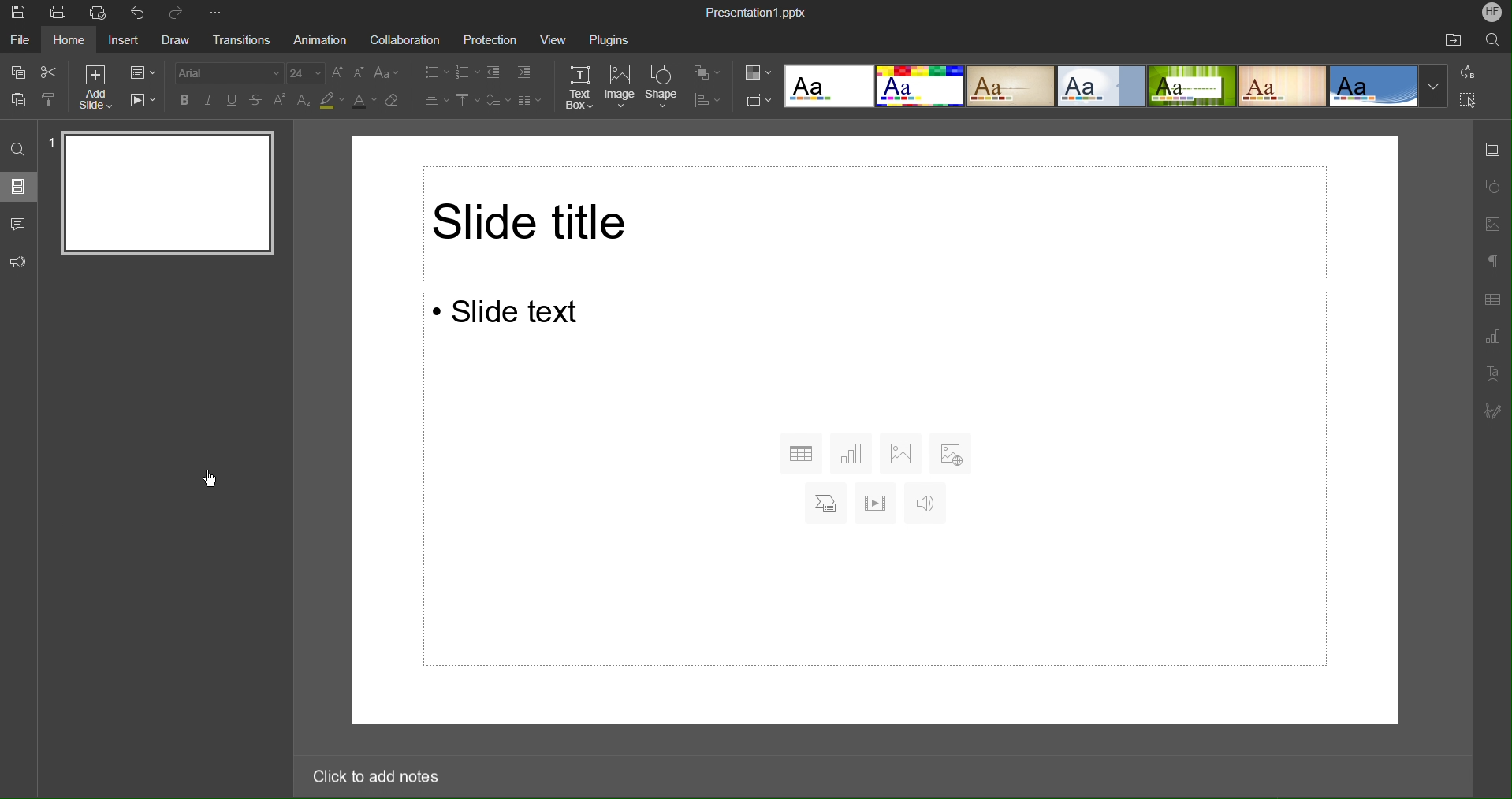  What do you see at coordinates (213, 480) in the screenshot?
I see `Cursor` at bounding box center [213, 480].